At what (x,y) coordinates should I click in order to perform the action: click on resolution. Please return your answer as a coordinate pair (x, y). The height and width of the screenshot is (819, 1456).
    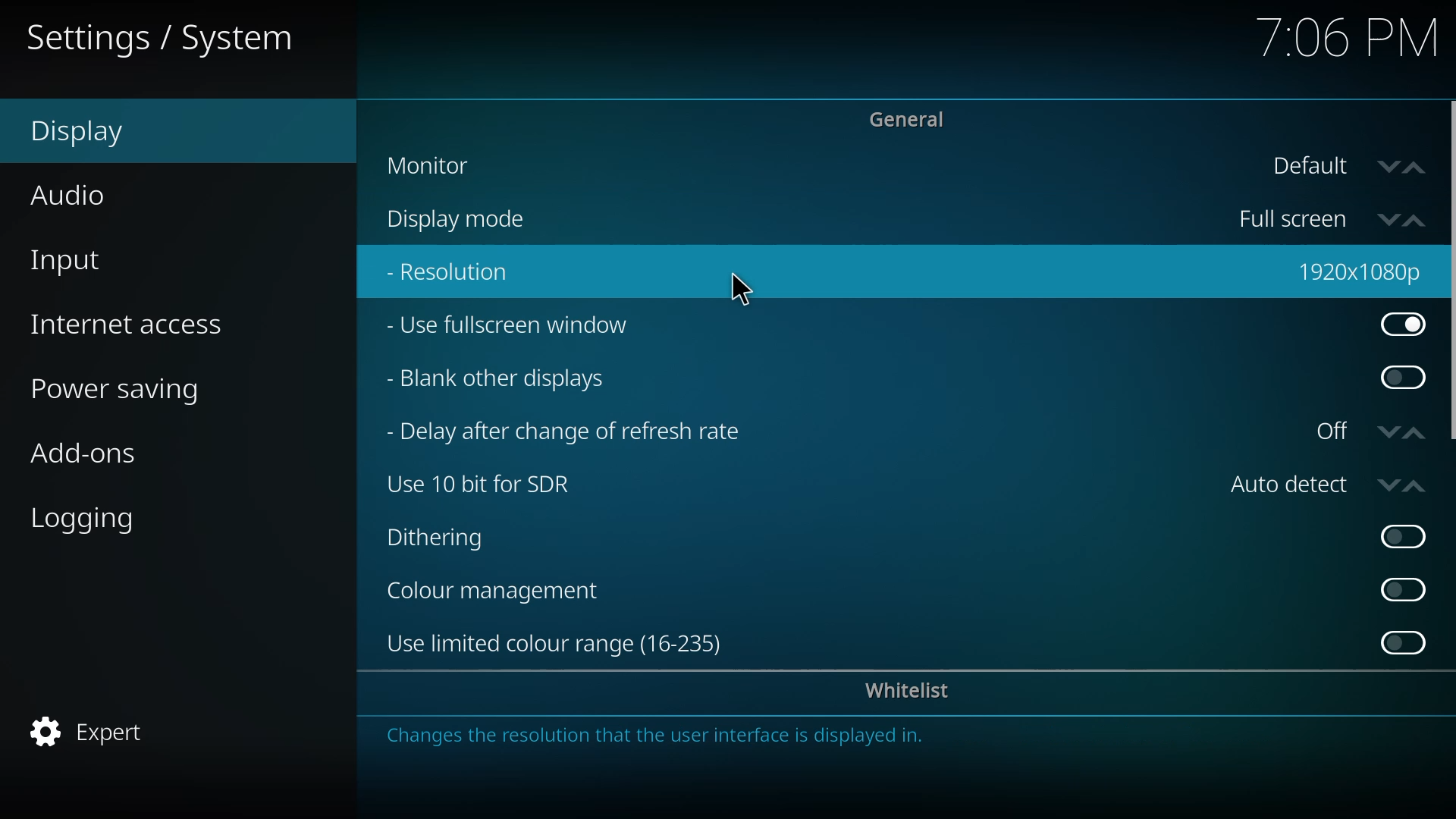
    Looking at the image, I should click on (466, 271).